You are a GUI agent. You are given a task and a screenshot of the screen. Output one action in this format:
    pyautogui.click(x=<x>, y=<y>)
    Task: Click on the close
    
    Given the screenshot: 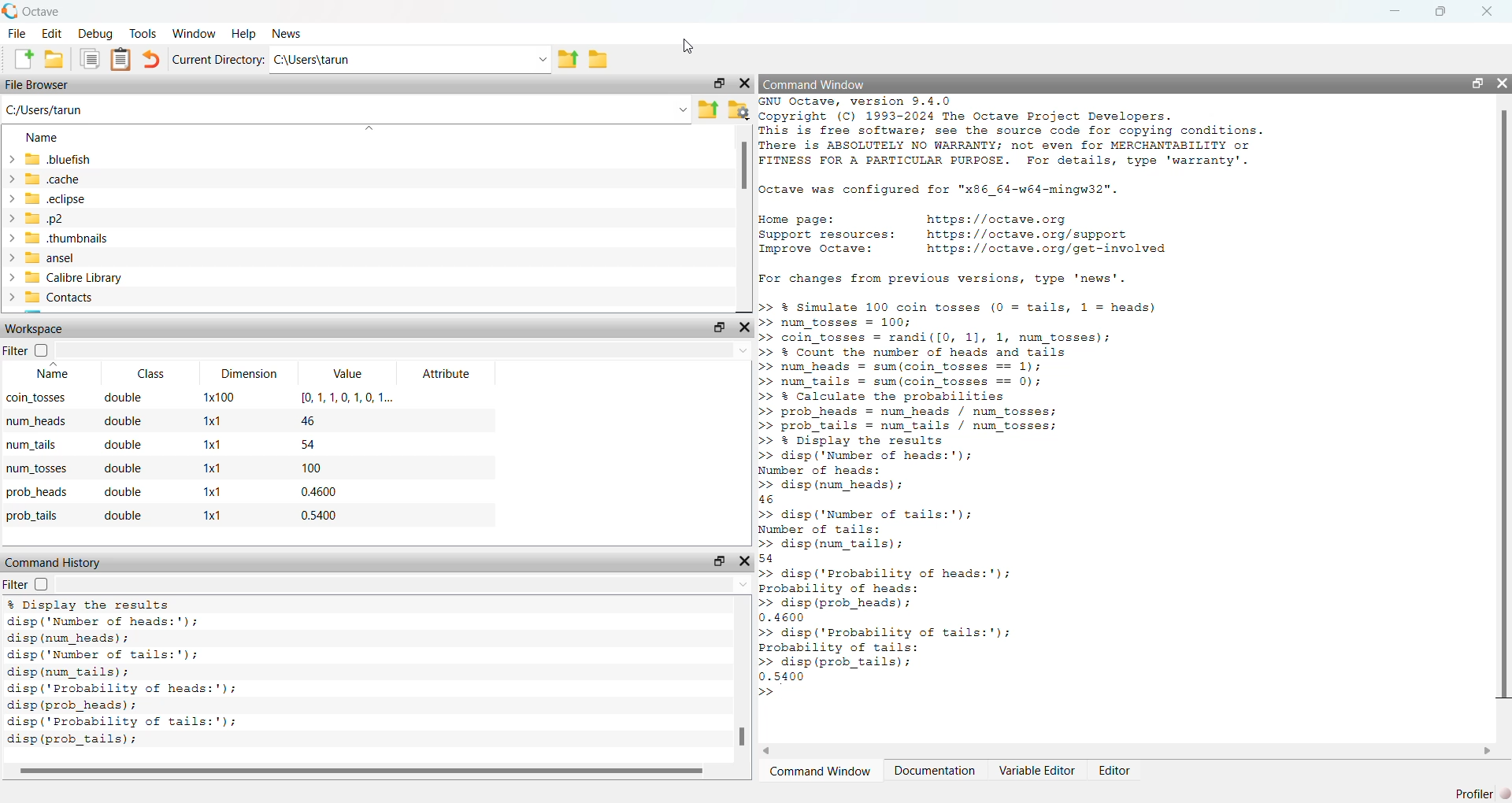 What is the action you would take?
    pyautogui.click(x=747, y=561)
    